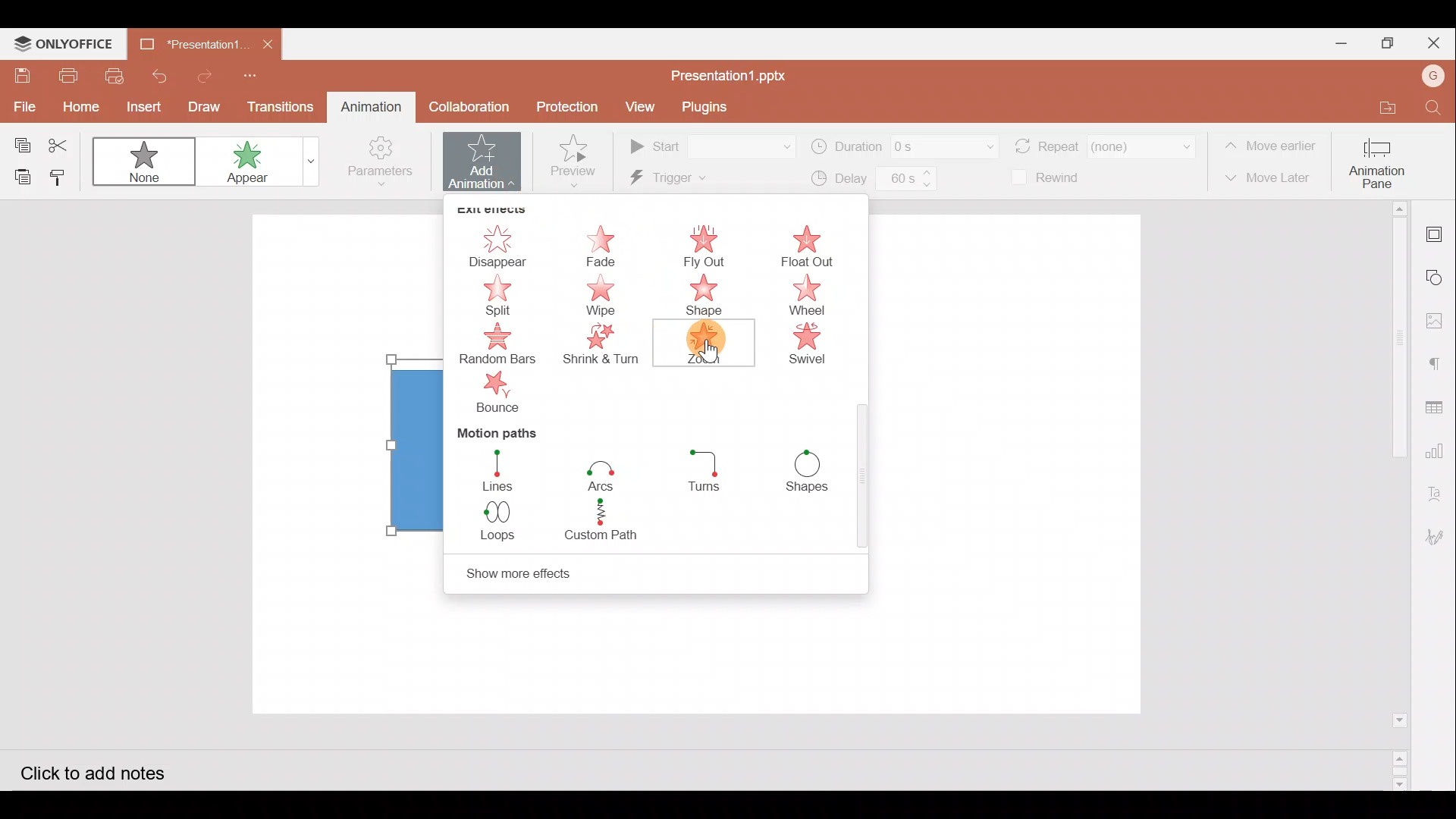 The height and width of the screenshot is (819, 1456). I want to click on Animation pane, so click(1382, 159).